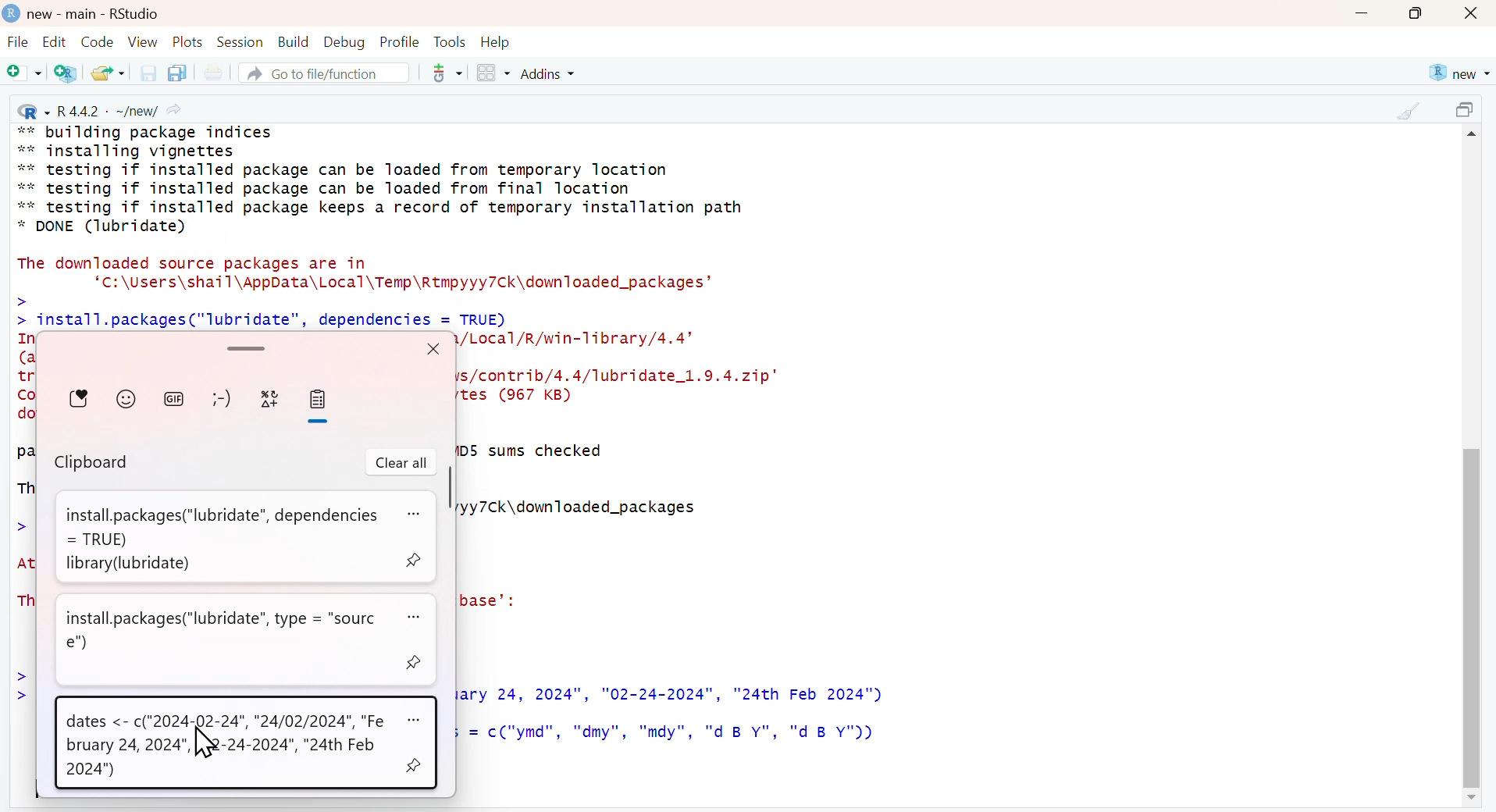 The image size is (1496, 812). Describe the element at coordinates (220, 399) in the screenshot. I see `Emoticon` at that location.